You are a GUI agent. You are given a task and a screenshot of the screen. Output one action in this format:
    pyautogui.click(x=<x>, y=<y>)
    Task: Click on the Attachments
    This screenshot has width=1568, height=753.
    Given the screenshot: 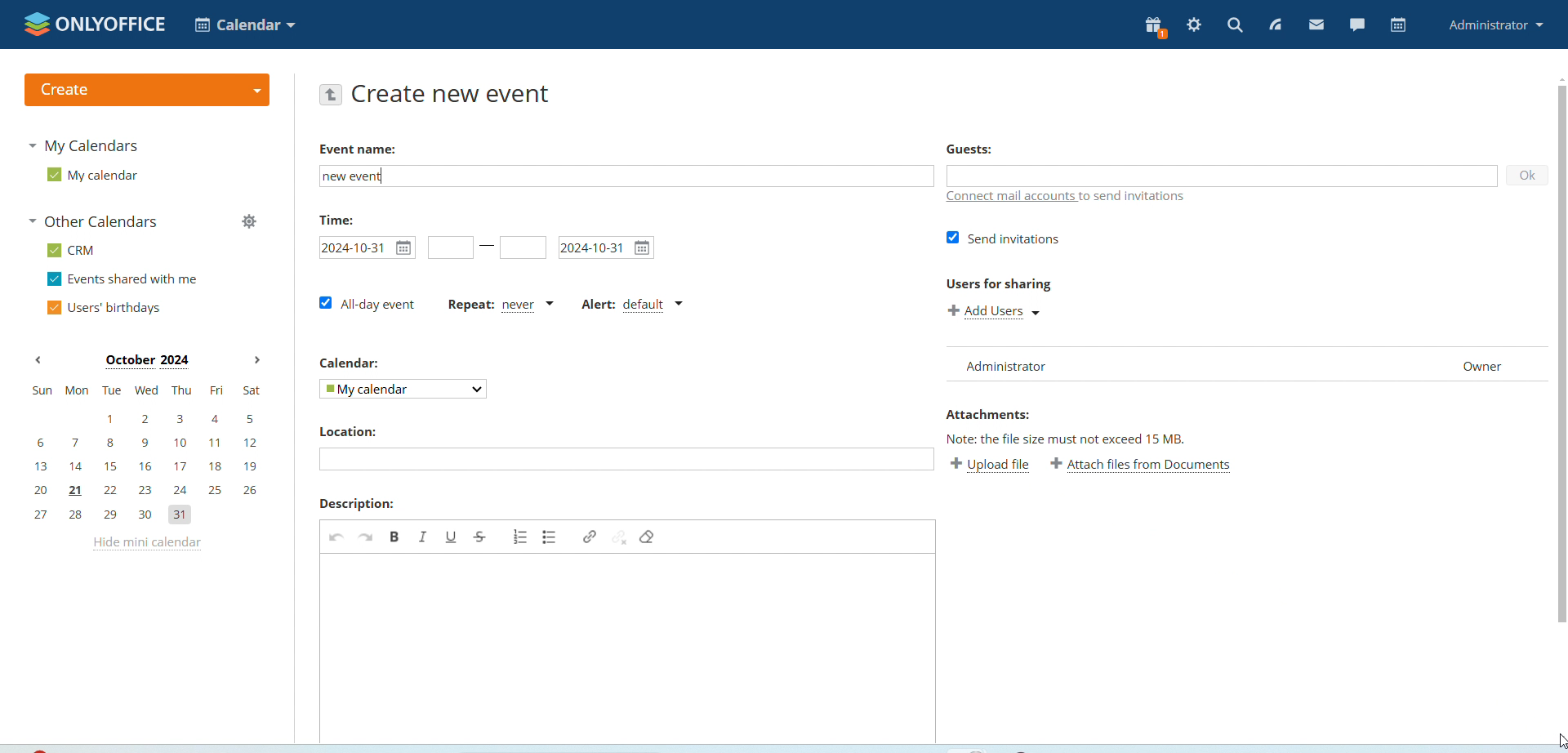 What is the action you would take?
    pyautogui.click(x=987, y=415)
    